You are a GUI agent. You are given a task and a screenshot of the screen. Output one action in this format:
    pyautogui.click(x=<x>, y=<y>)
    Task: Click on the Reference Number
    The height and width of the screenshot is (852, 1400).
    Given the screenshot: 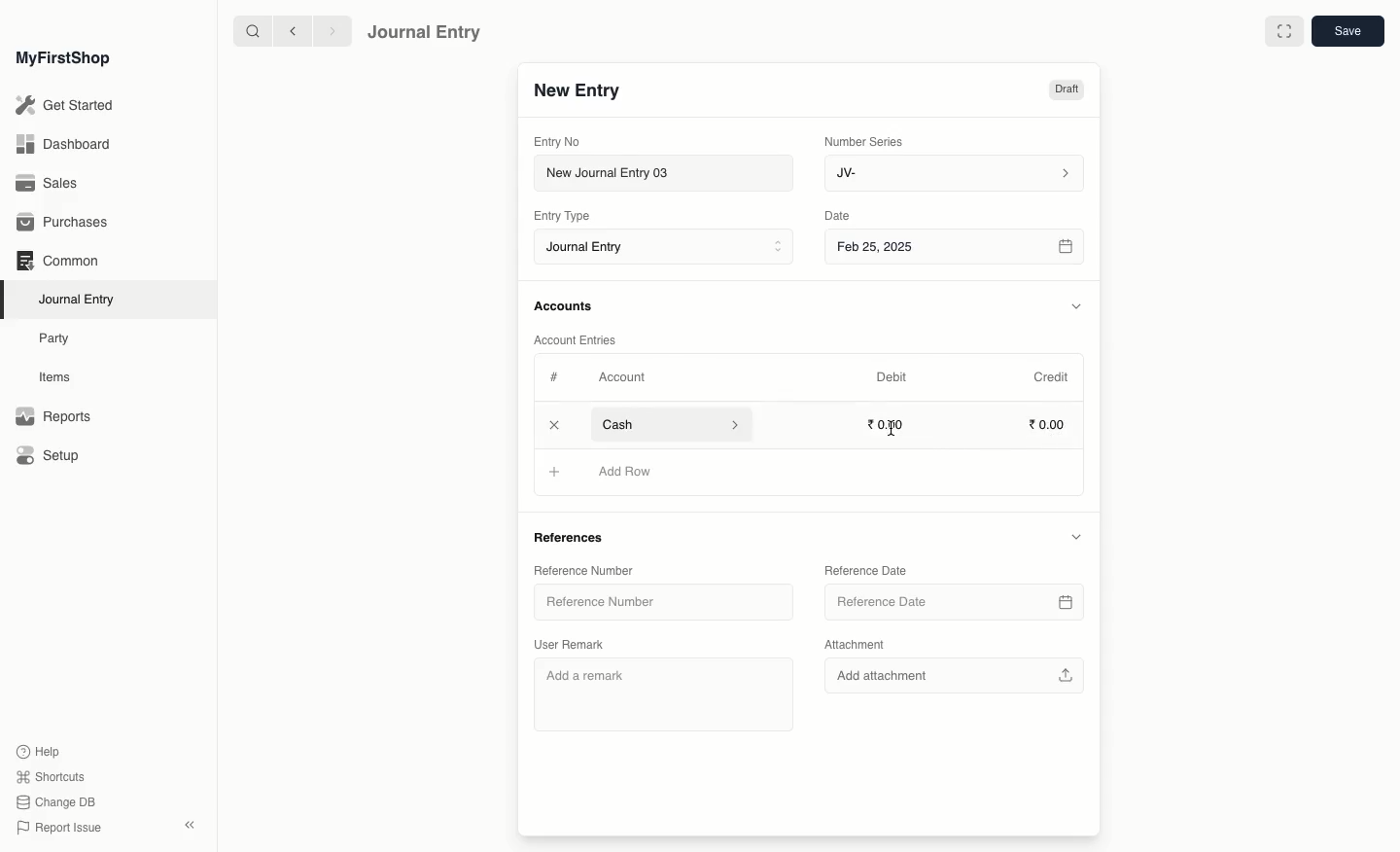 What is the action you would take?
    pyautogui.click(x=585, y=571)
    